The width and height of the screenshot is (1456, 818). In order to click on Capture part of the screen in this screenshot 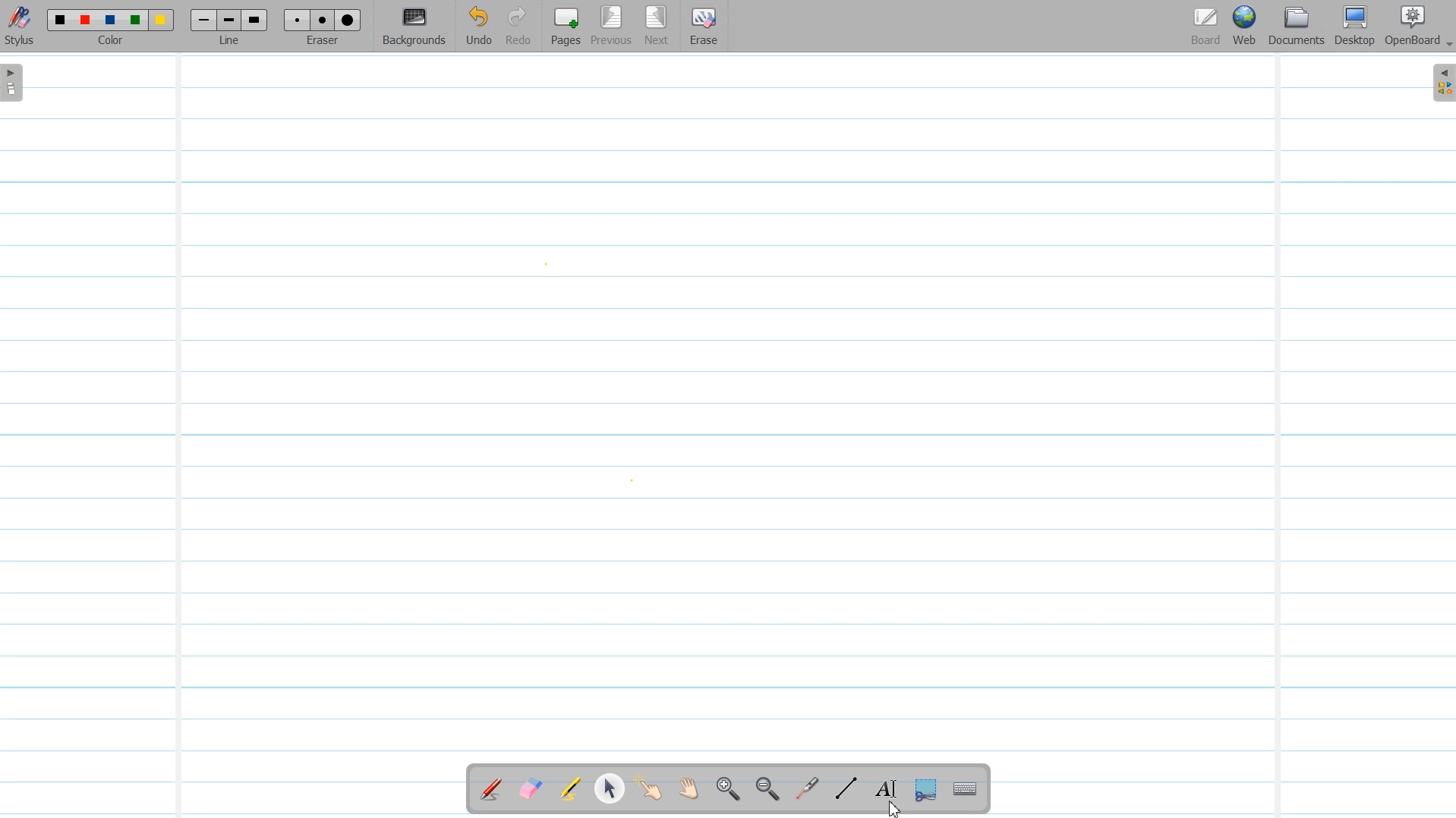, I will do `click(924, 790)`.